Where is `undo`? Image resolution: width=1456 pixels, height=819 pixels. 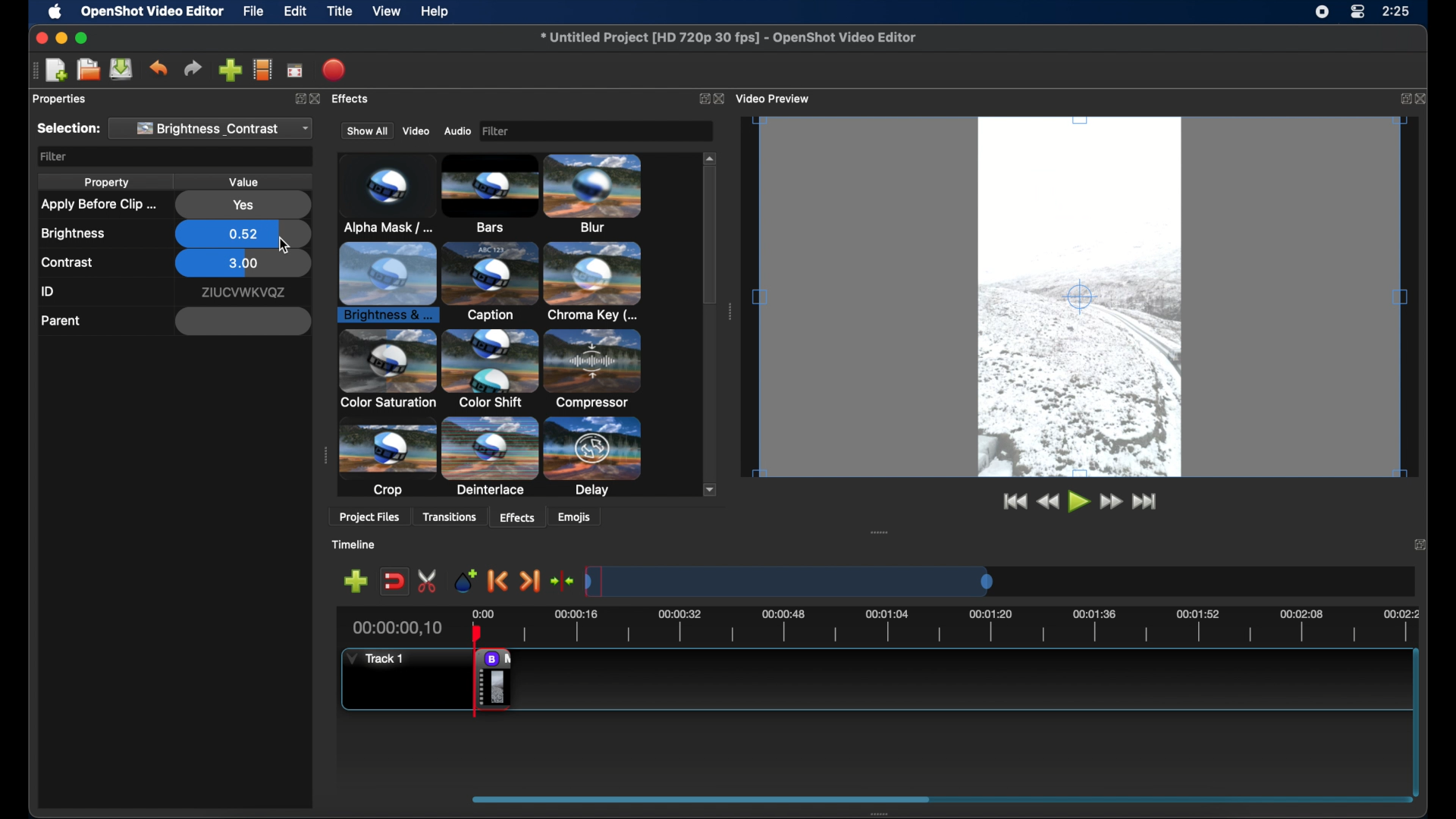
undo is located at coordinates (158, 68).